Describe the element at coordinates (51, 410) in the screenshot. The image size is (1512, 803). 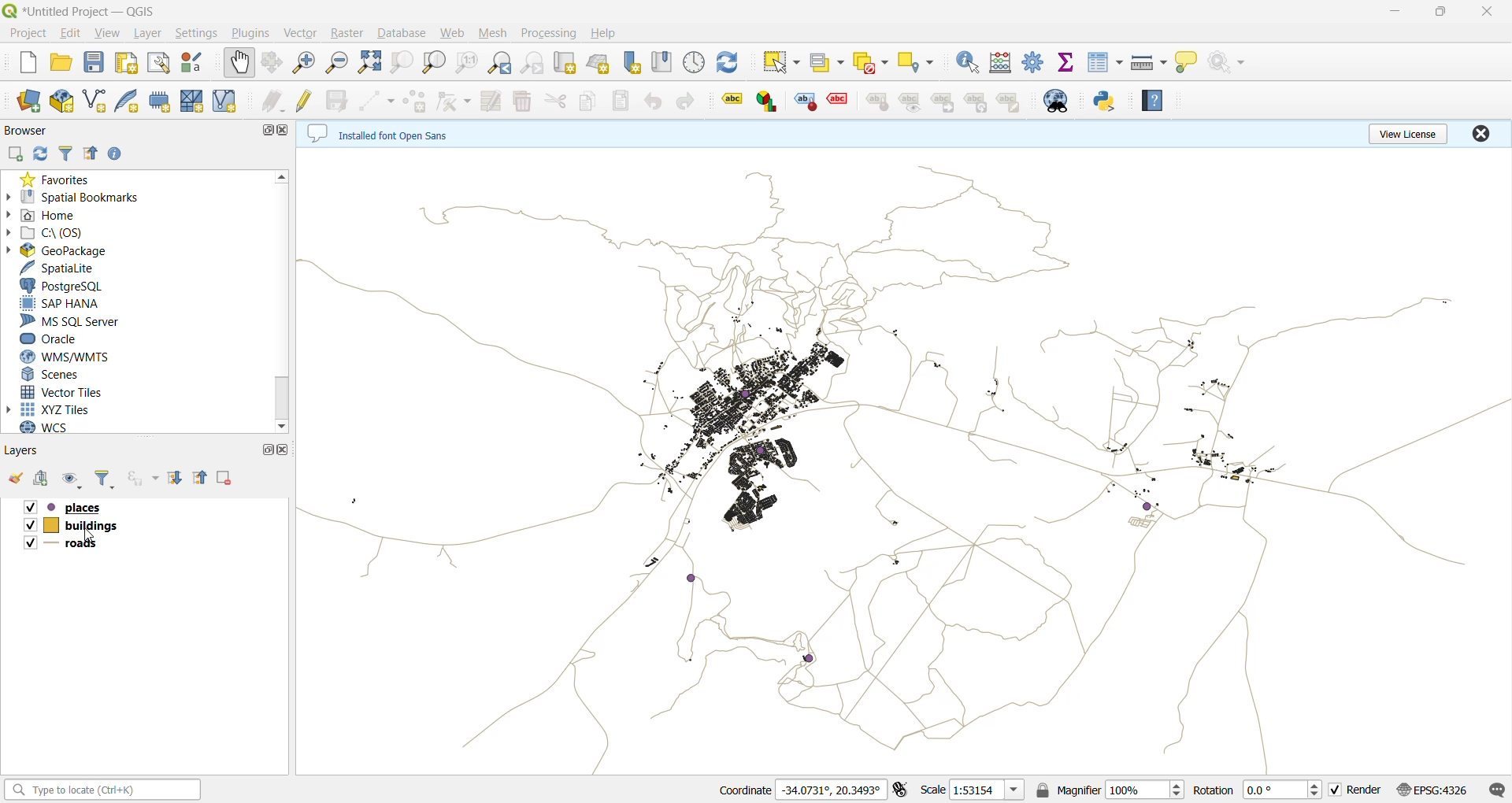
I see `xyz tiles` at that location.